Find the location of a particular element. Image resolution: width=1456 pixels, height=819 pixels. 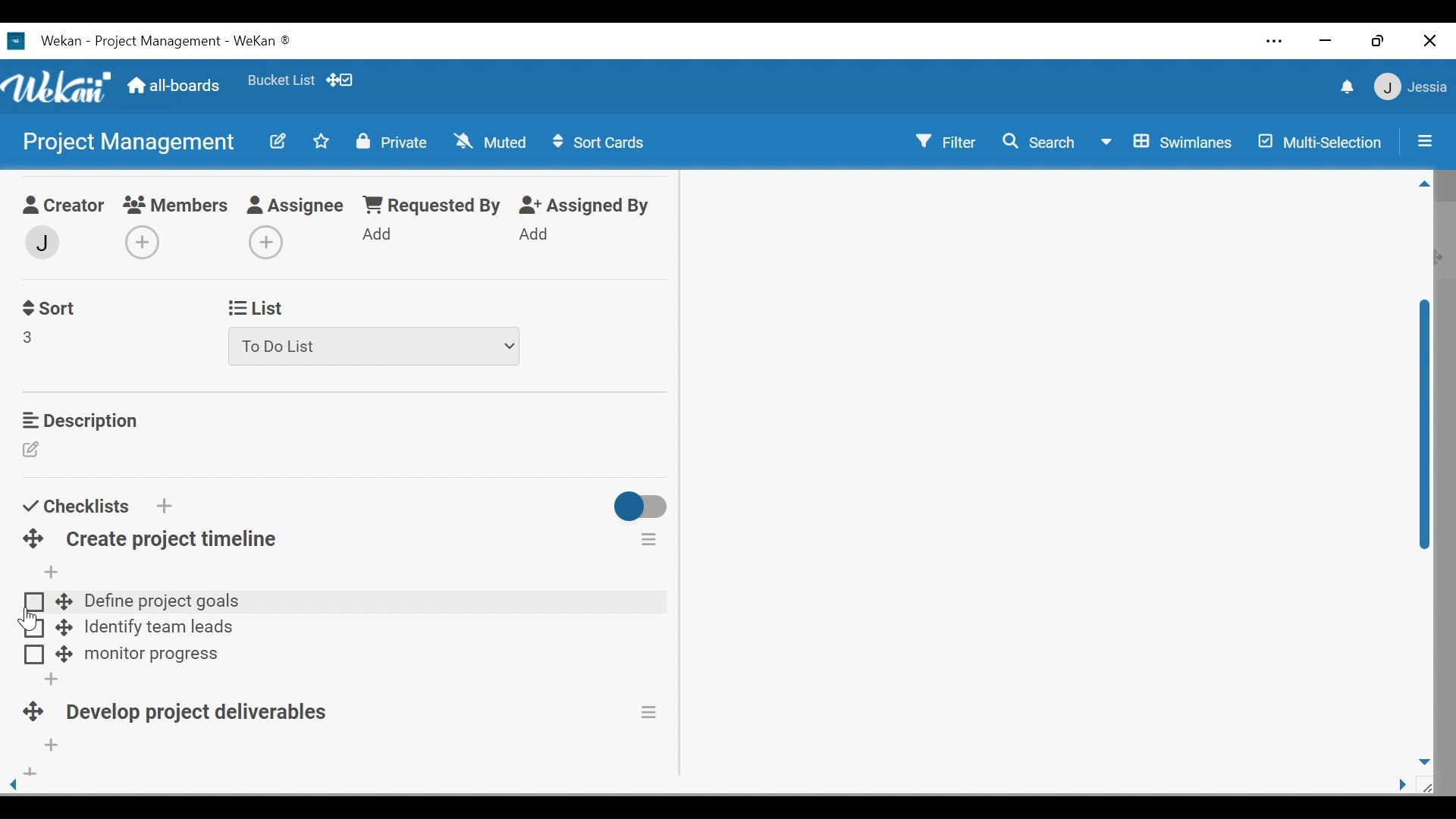

 is located at coordinates (177, 205).